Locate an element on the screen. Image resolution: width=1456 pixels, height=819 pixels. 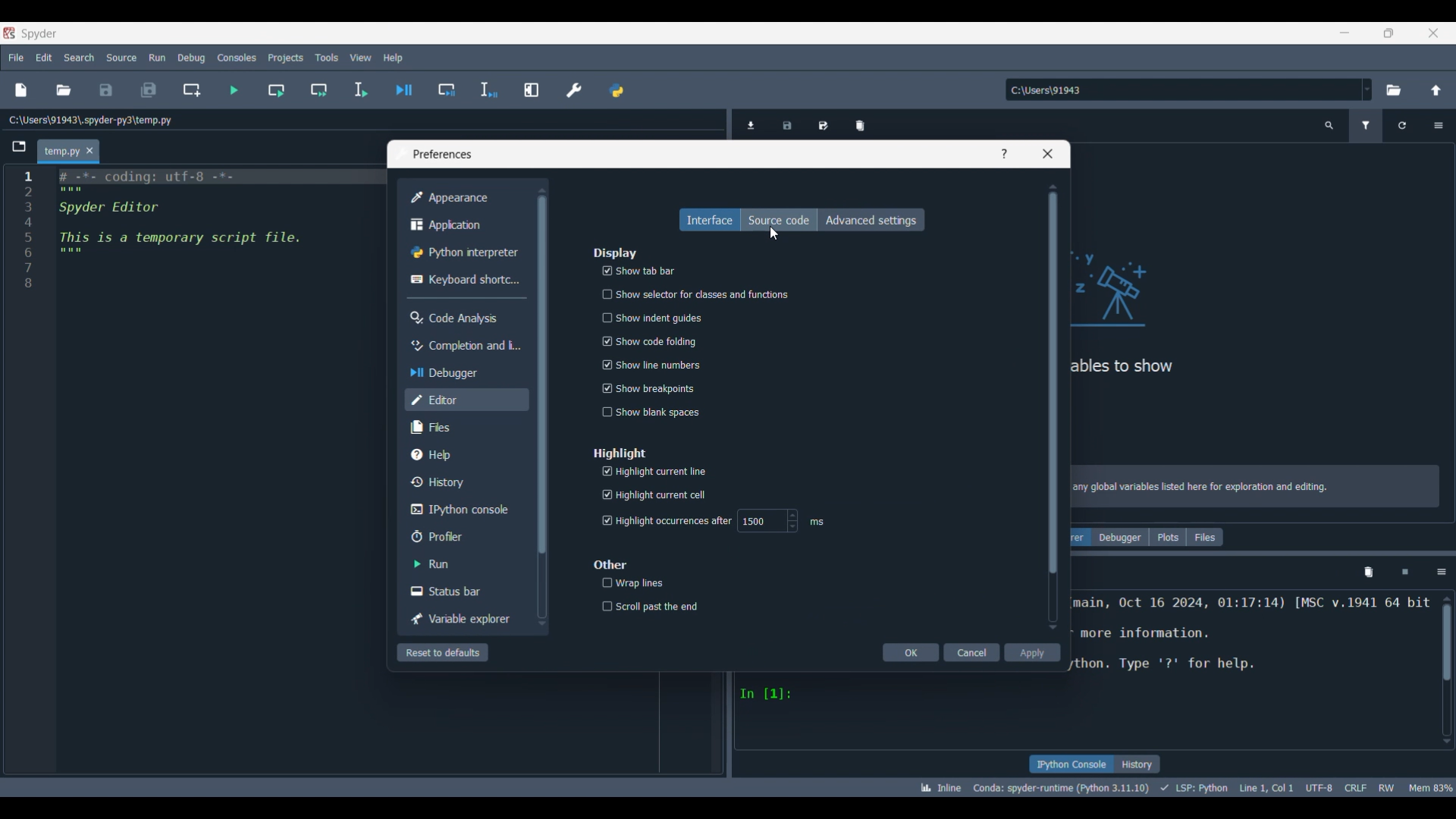
Help is located at coordinates (466, 455).